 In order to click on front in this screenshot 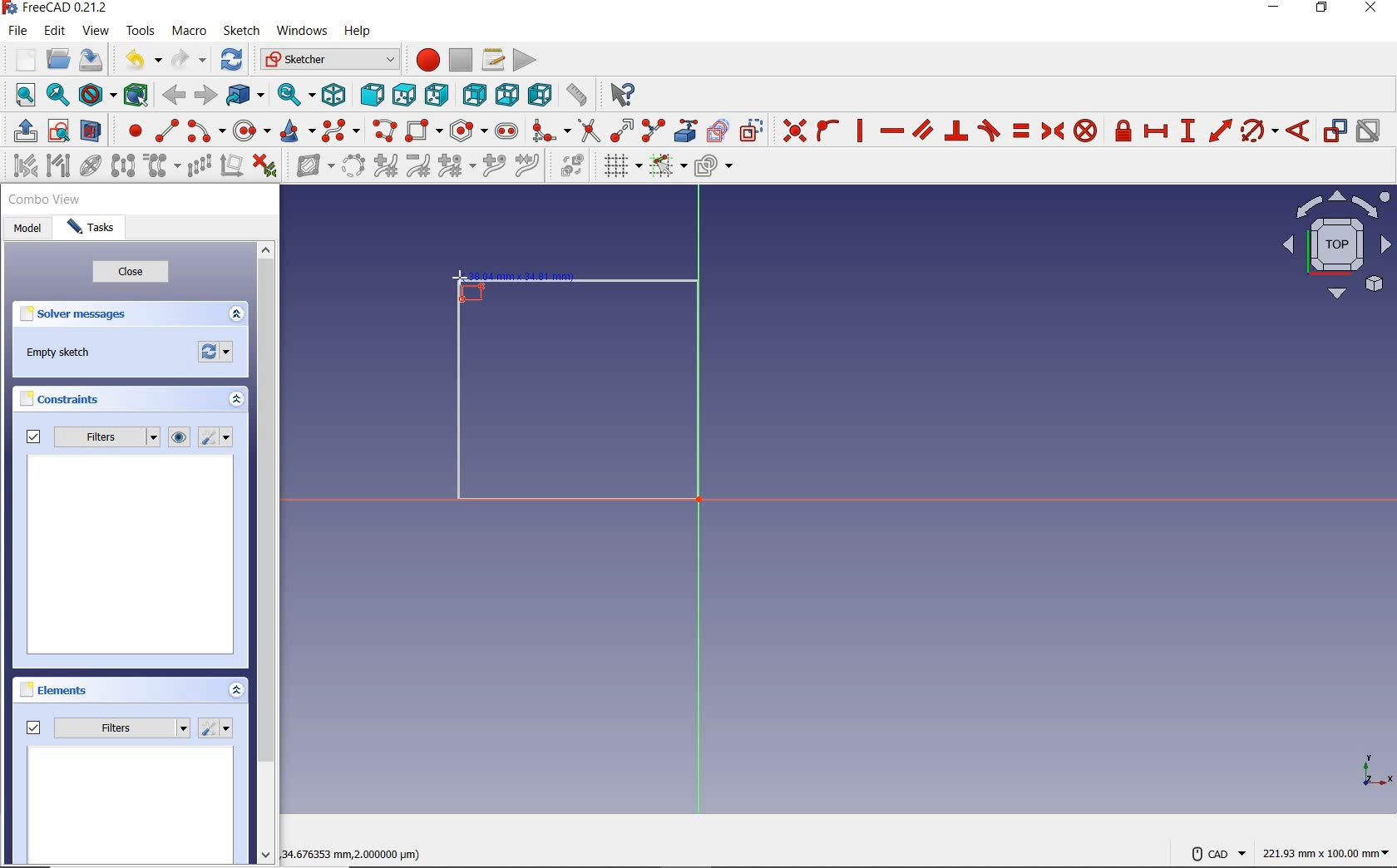, I will do `click(372, 96)`.